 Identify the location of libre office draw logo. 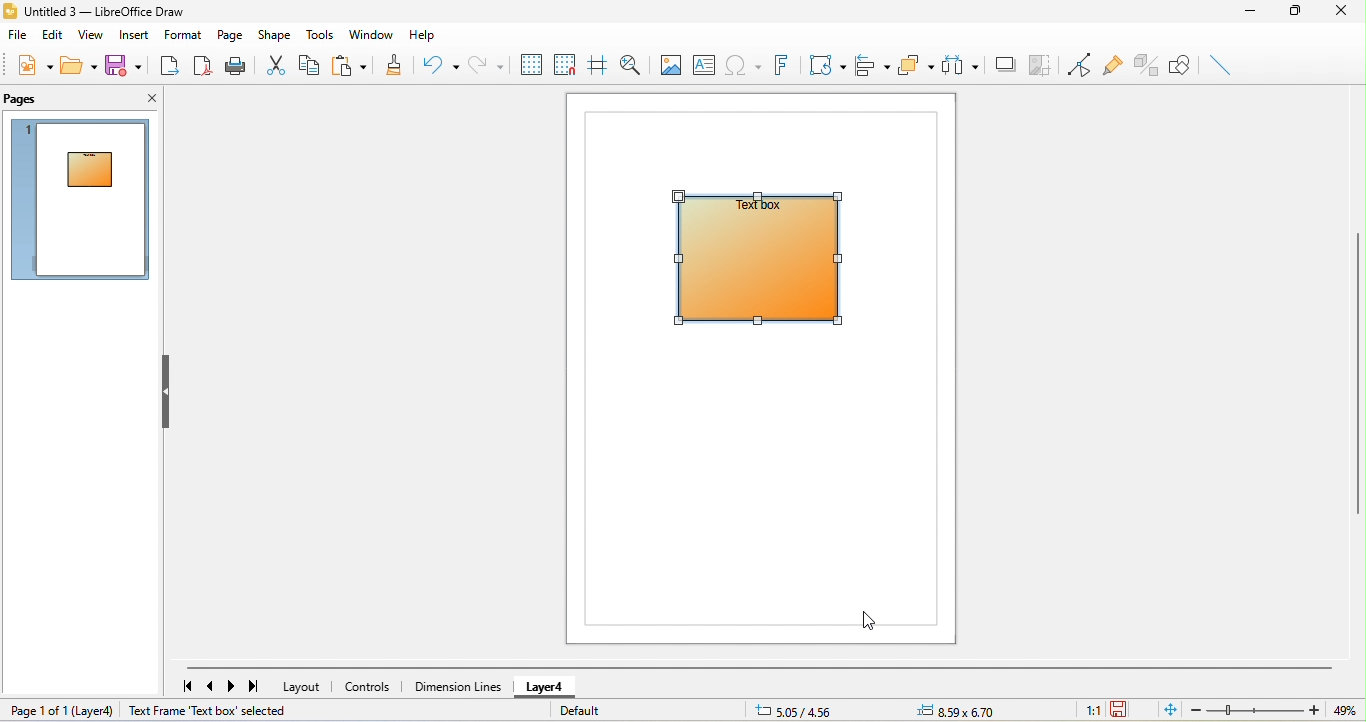
(11, 10).